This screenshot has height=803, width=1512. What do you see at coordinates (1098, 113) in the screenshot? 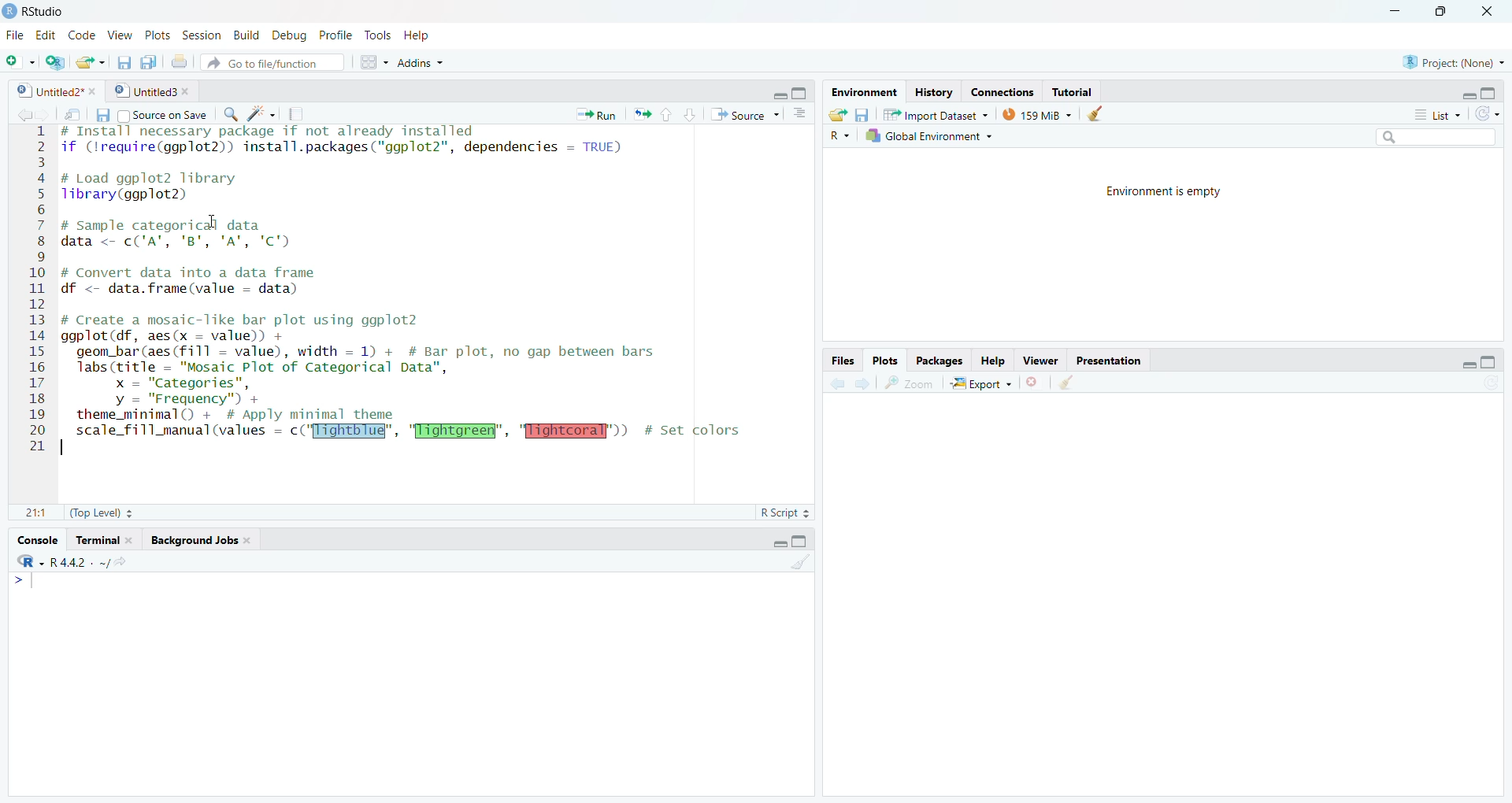
I see `Clean` at bounding box center [1098, 113].